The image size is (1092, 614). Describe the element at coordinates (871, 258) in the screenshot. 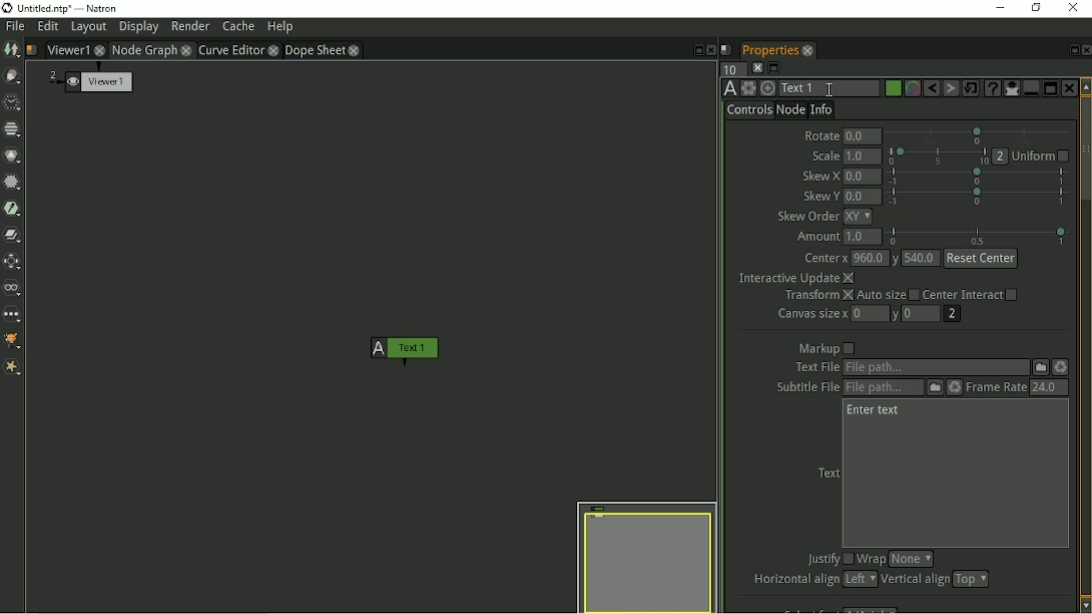

I see `960` at that location.